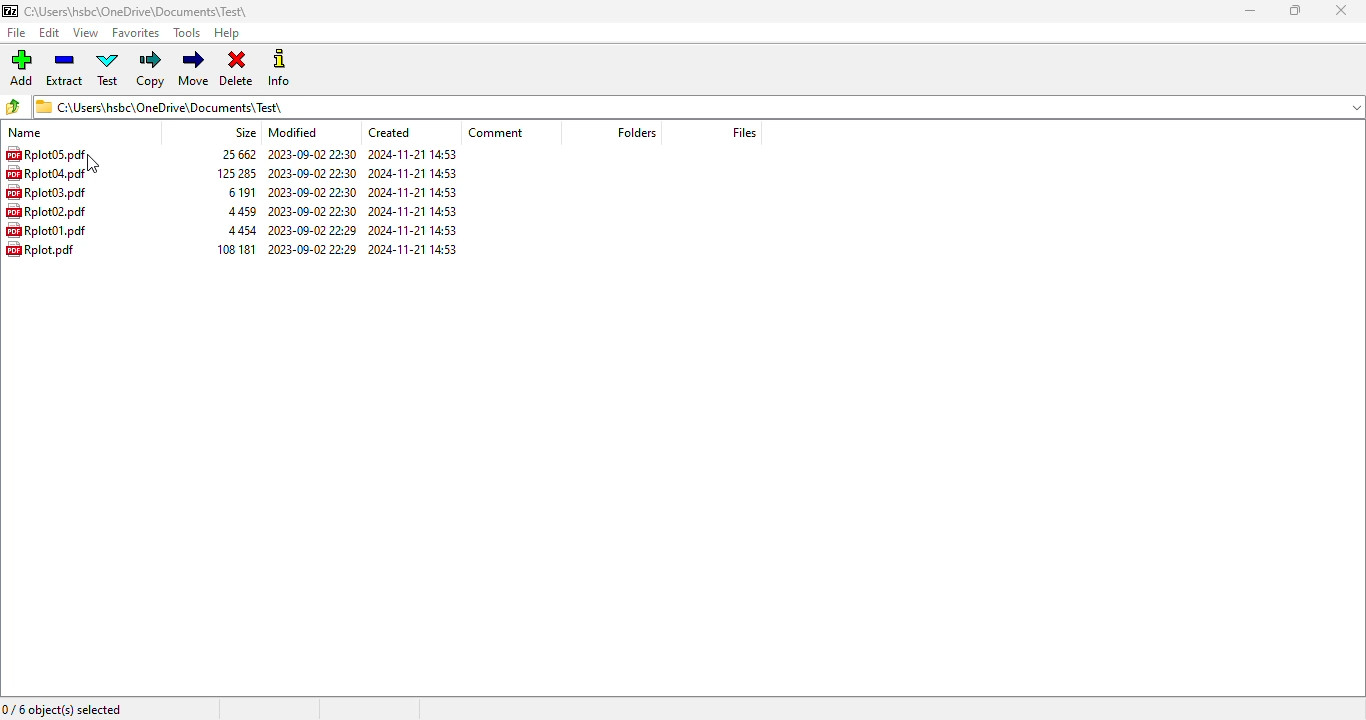  I want to click on size, so click(246, 132).